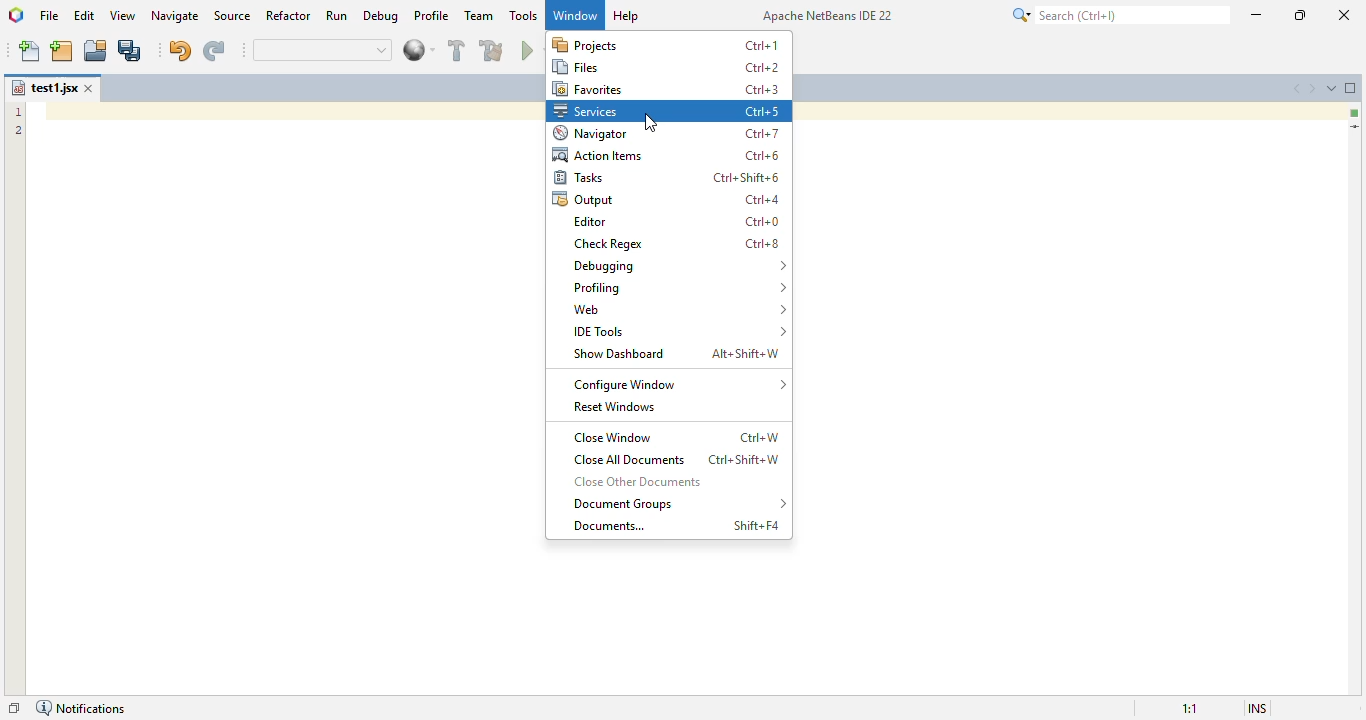 Image resolution: width=1366 pixels, height=720 pixels. Describe the element at coordinates (681, 331) in the screenshot. I see `IDE tools` at that location.